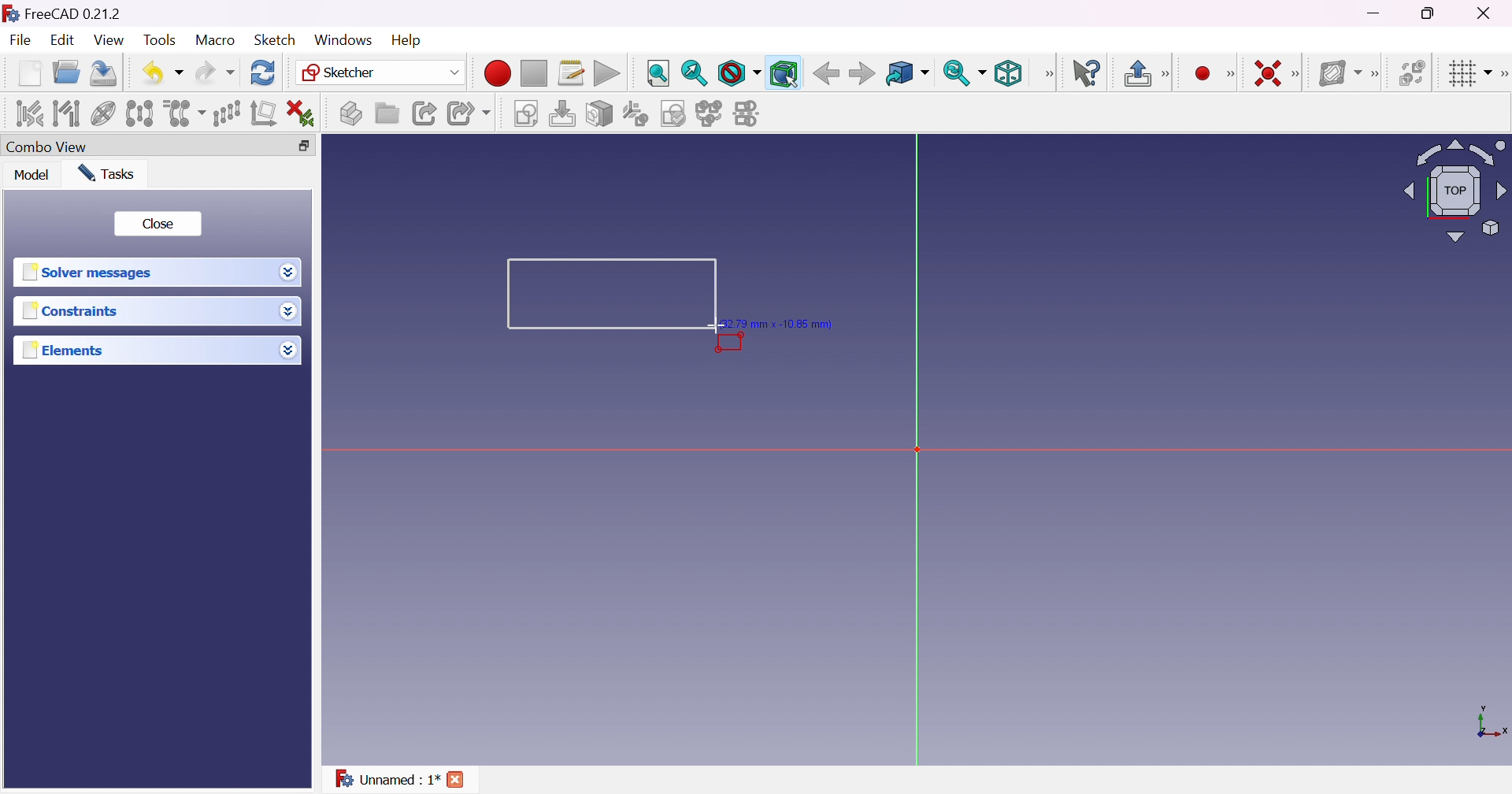 The width and height of the screenshot is (1512, 794). I want to click on Toggle grid, so click(1466, 74).